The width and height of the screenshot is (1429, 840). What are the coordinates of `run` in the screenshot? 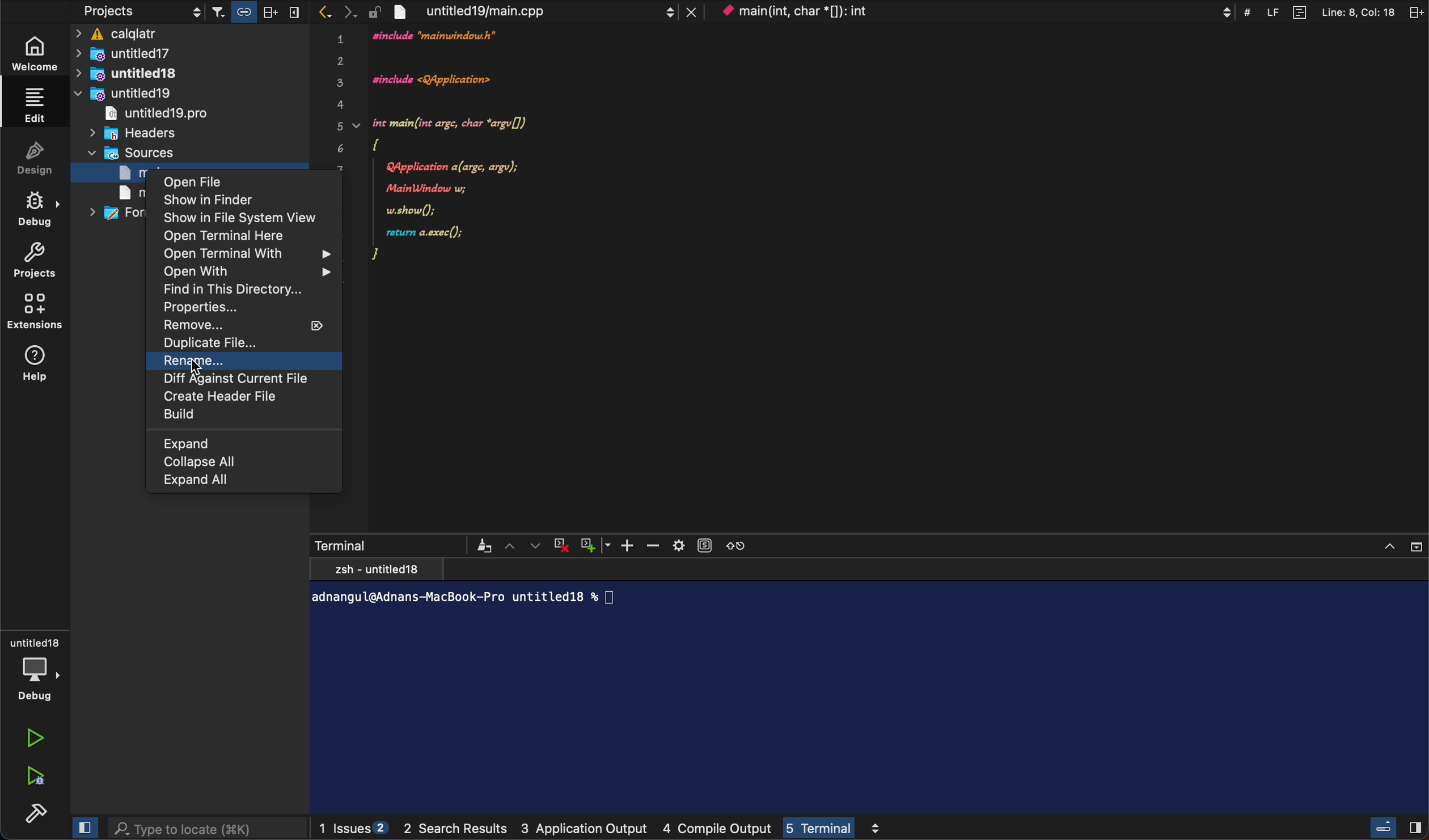 It's located at (36, 739).